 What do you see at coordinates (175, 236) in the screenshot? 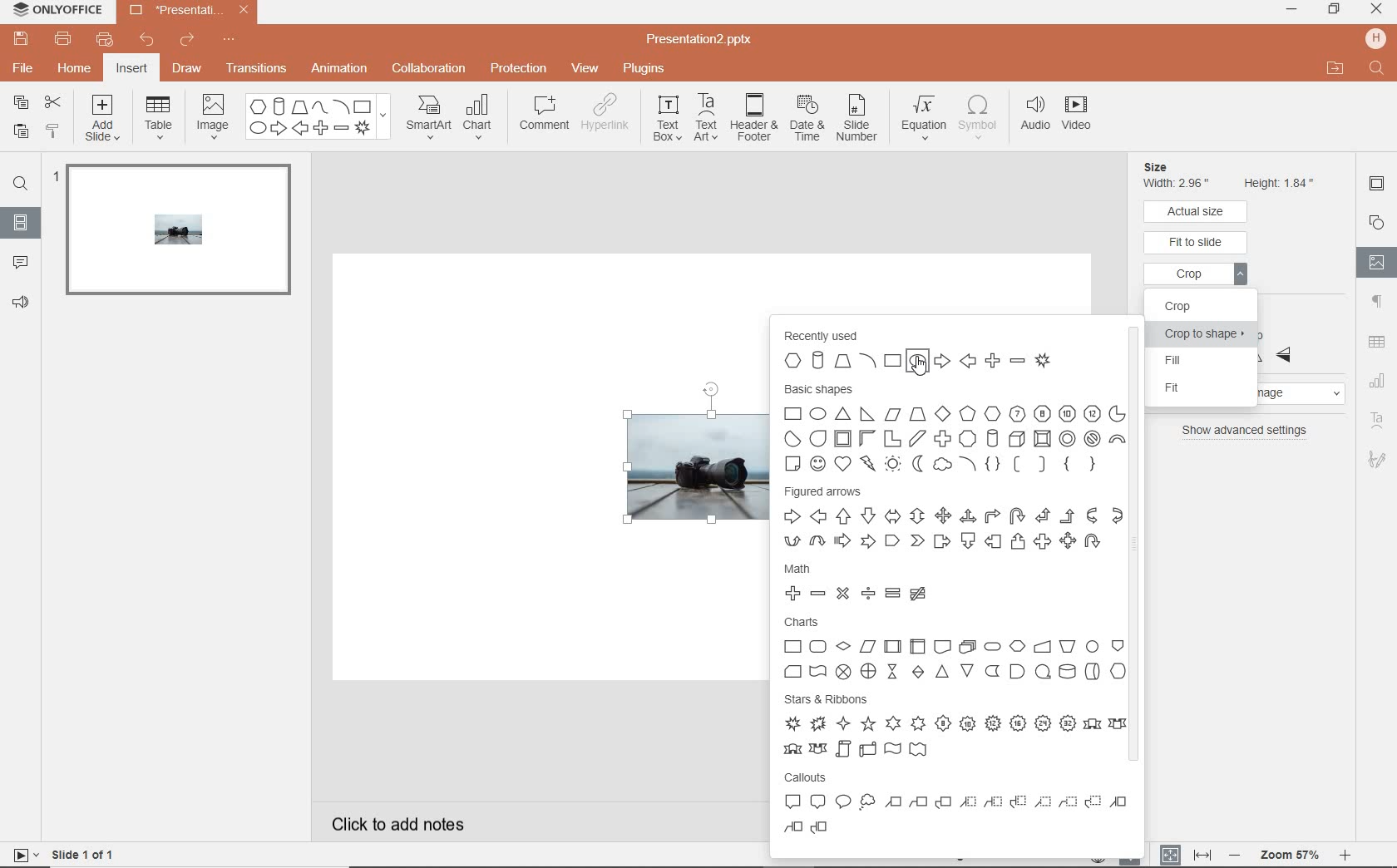
I see `slide` at bounding box center [175, 236].